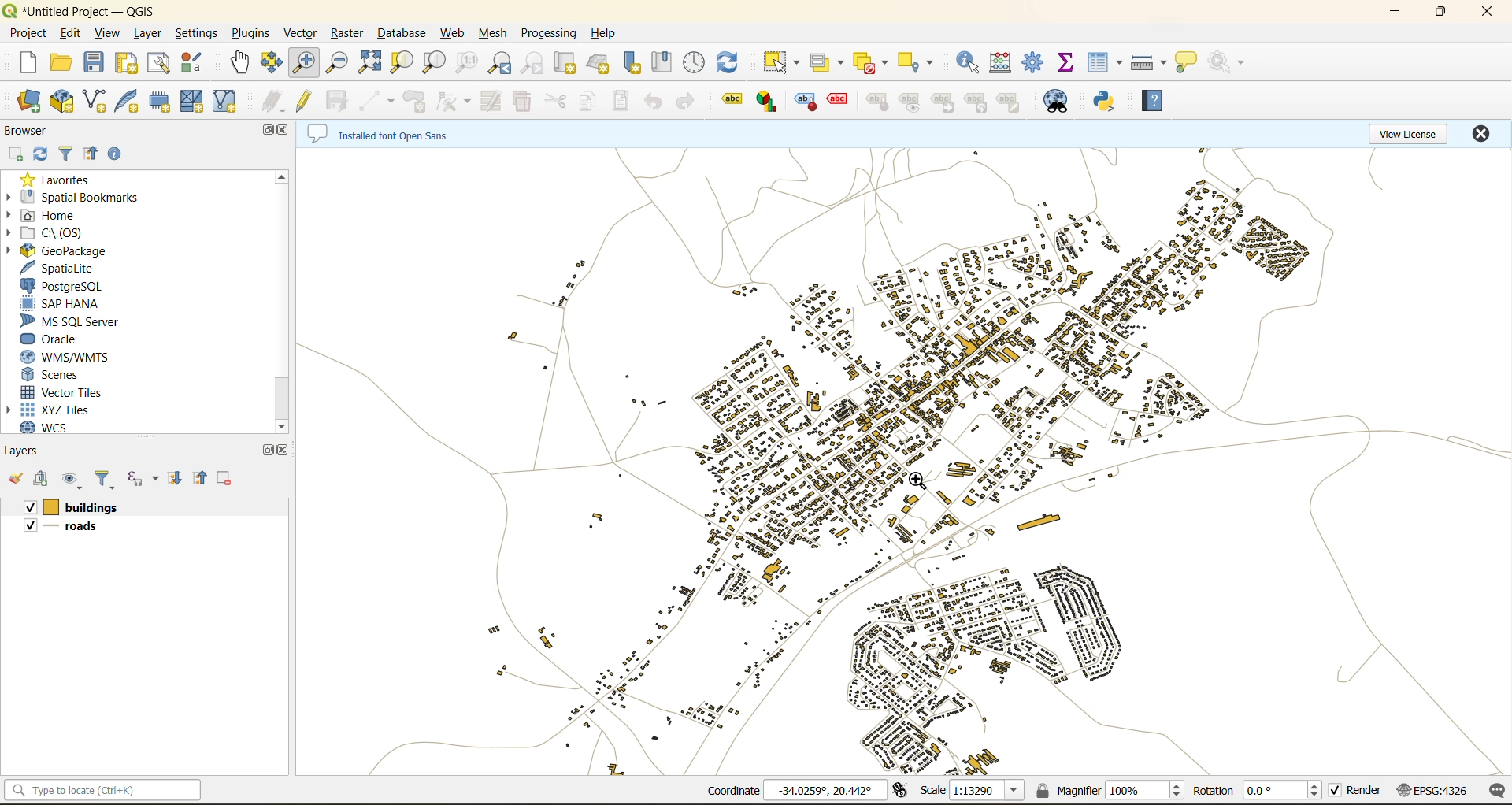 The height and width of the screenshot is (805, 1512). What do you see at coordinates (1394, 16) in the screenshot?
I see `minimize` at bounding box center [1394, 16].